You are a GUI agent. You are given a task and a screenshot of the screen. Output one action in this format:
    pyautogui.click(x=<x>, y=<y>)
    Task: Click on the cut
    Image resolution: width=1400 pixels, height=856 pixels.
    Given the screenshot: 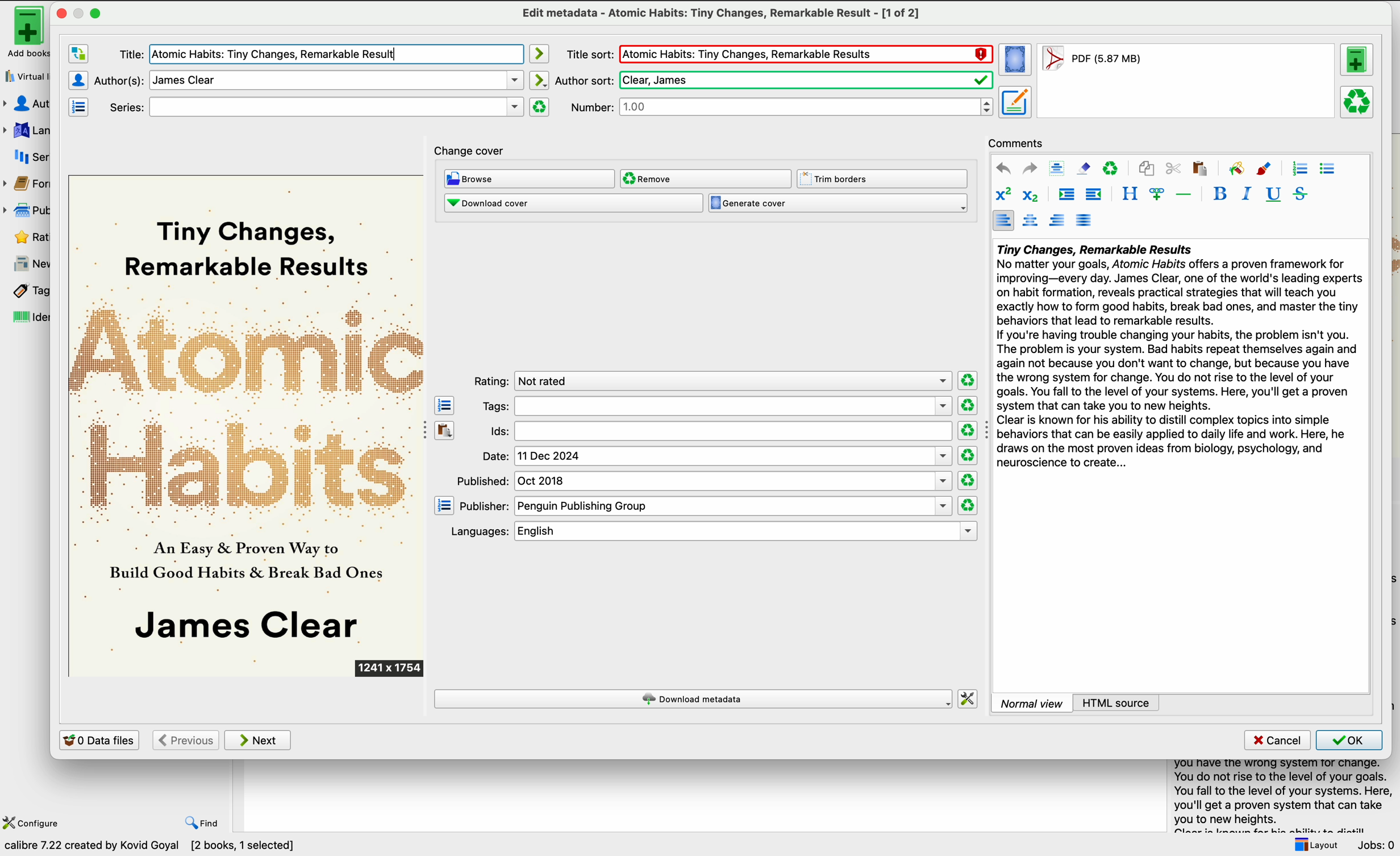 What is the action you would take?
    pyautogui.click(x=1173, y=168)
    